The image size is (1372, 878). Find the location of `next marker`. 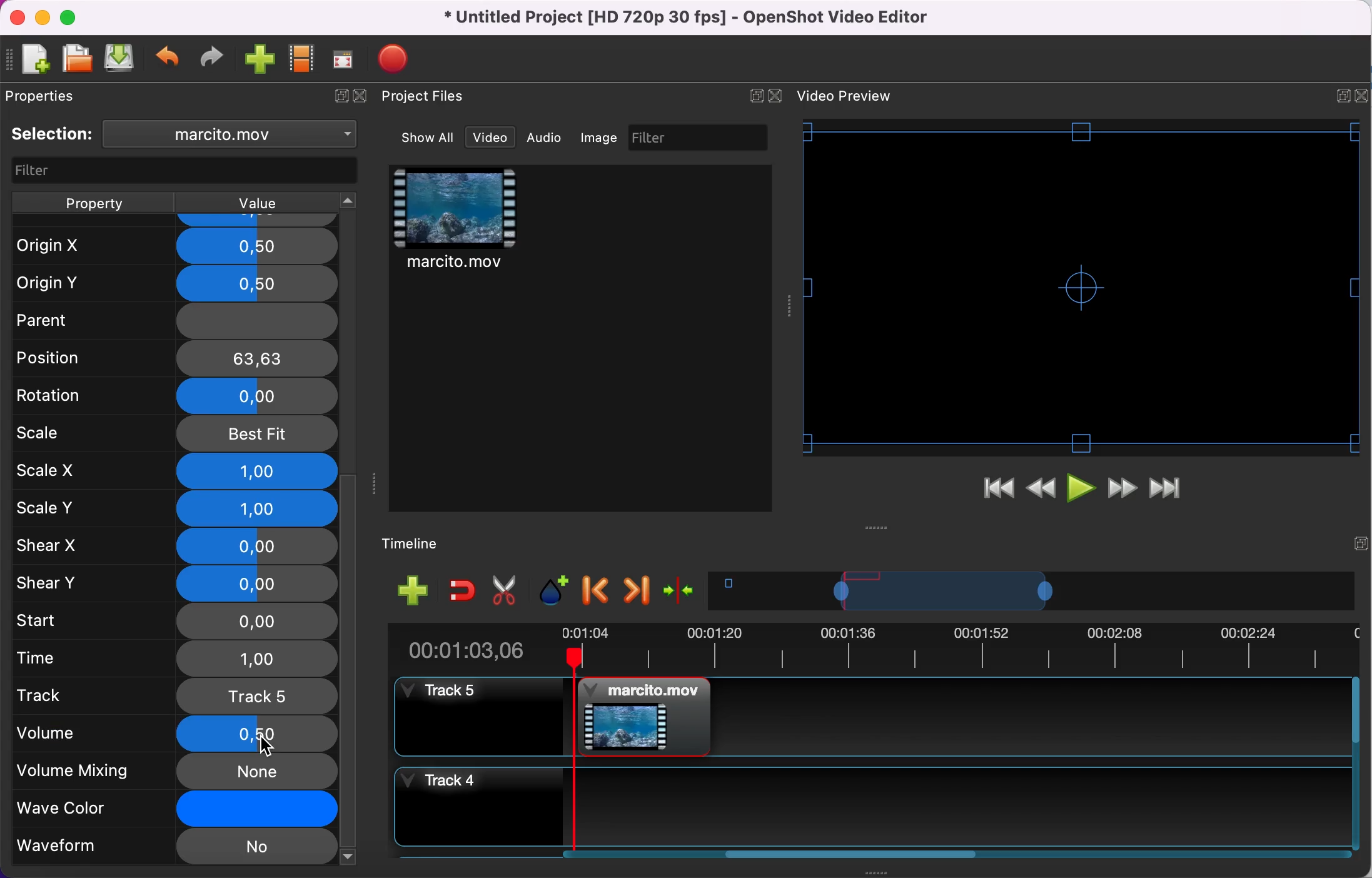

next marker is located at coordinates (638, 590).